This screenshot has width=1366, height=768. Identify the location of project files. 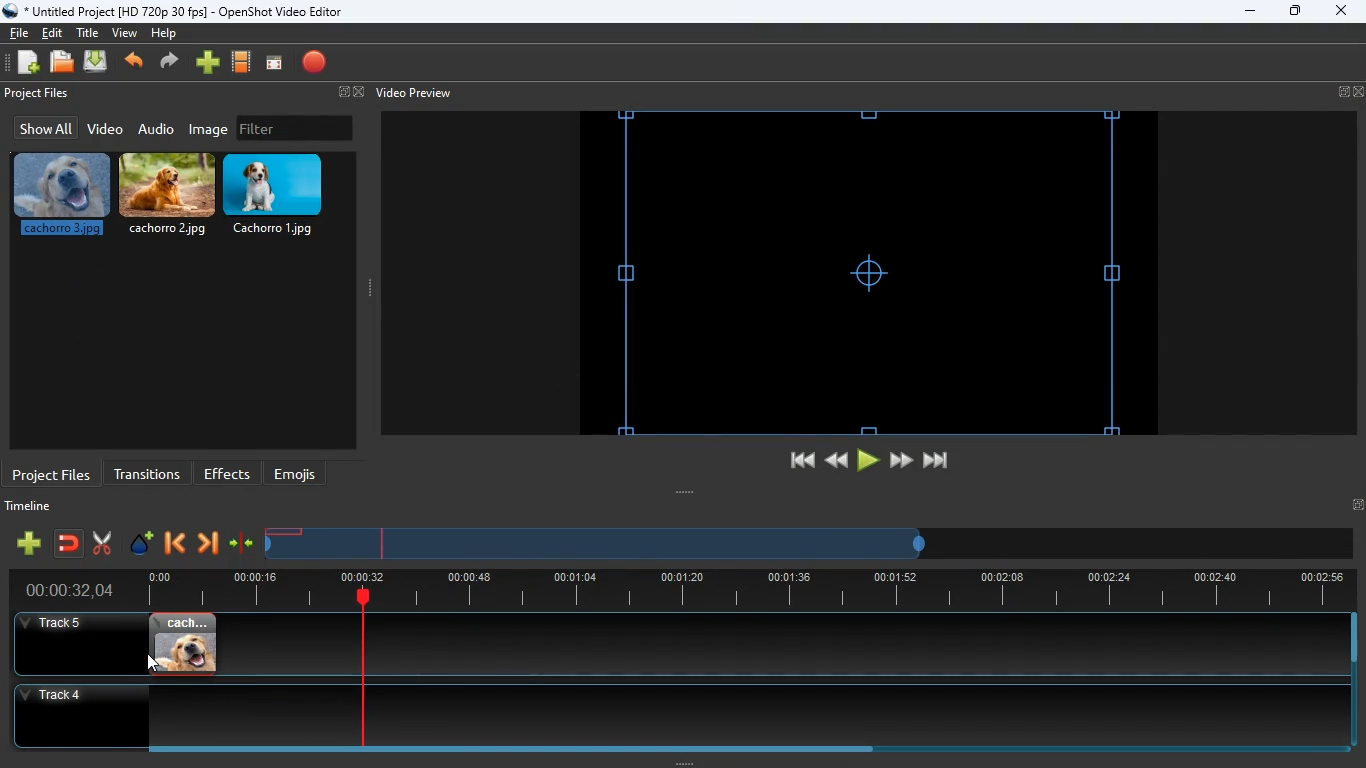
(39, 94).